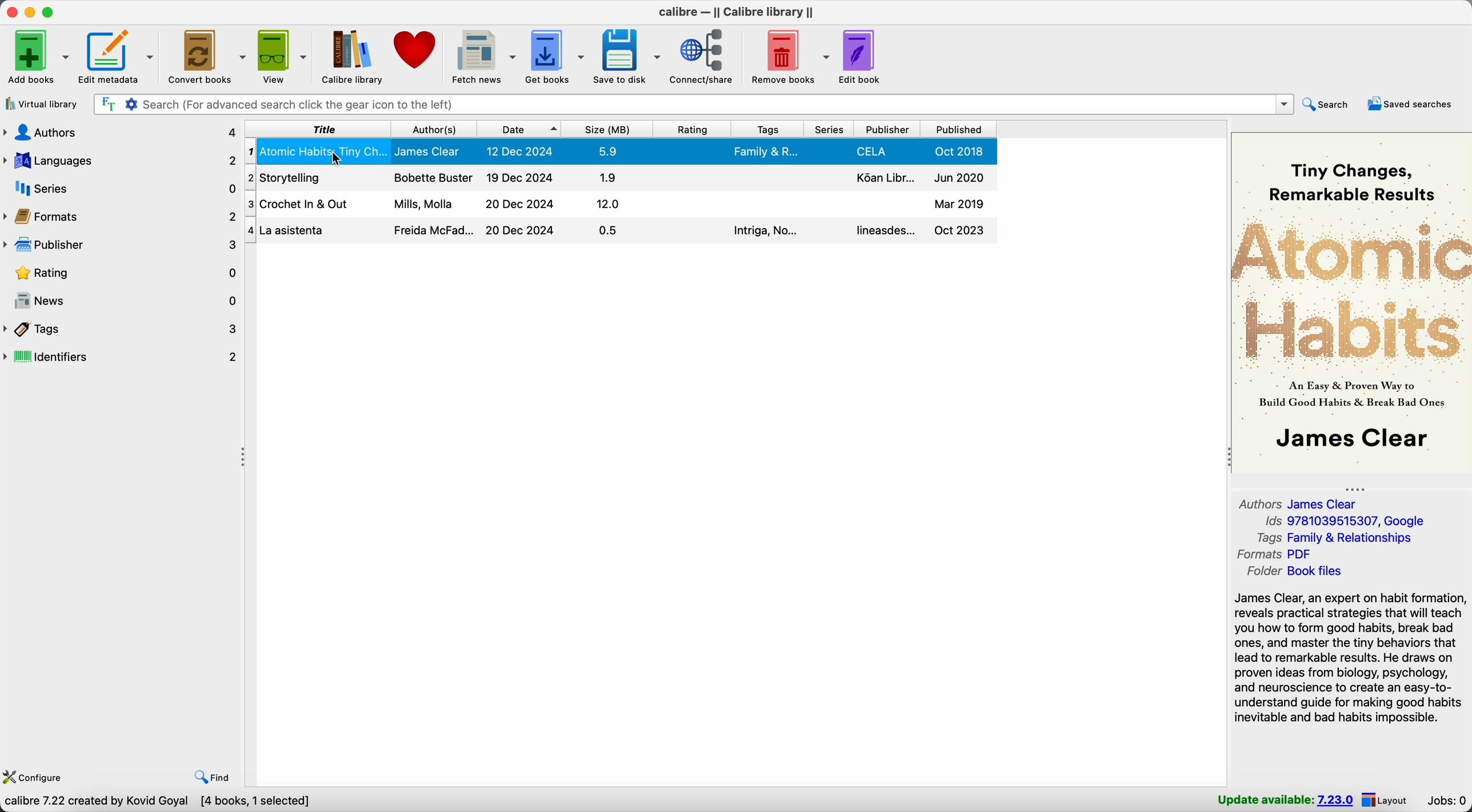 Image resolution: width=1472 pixels, height=812 pixels. What do you see at coordinates (318, 129) in the screenshot?
I see `title` at bounding box center [318, 129].